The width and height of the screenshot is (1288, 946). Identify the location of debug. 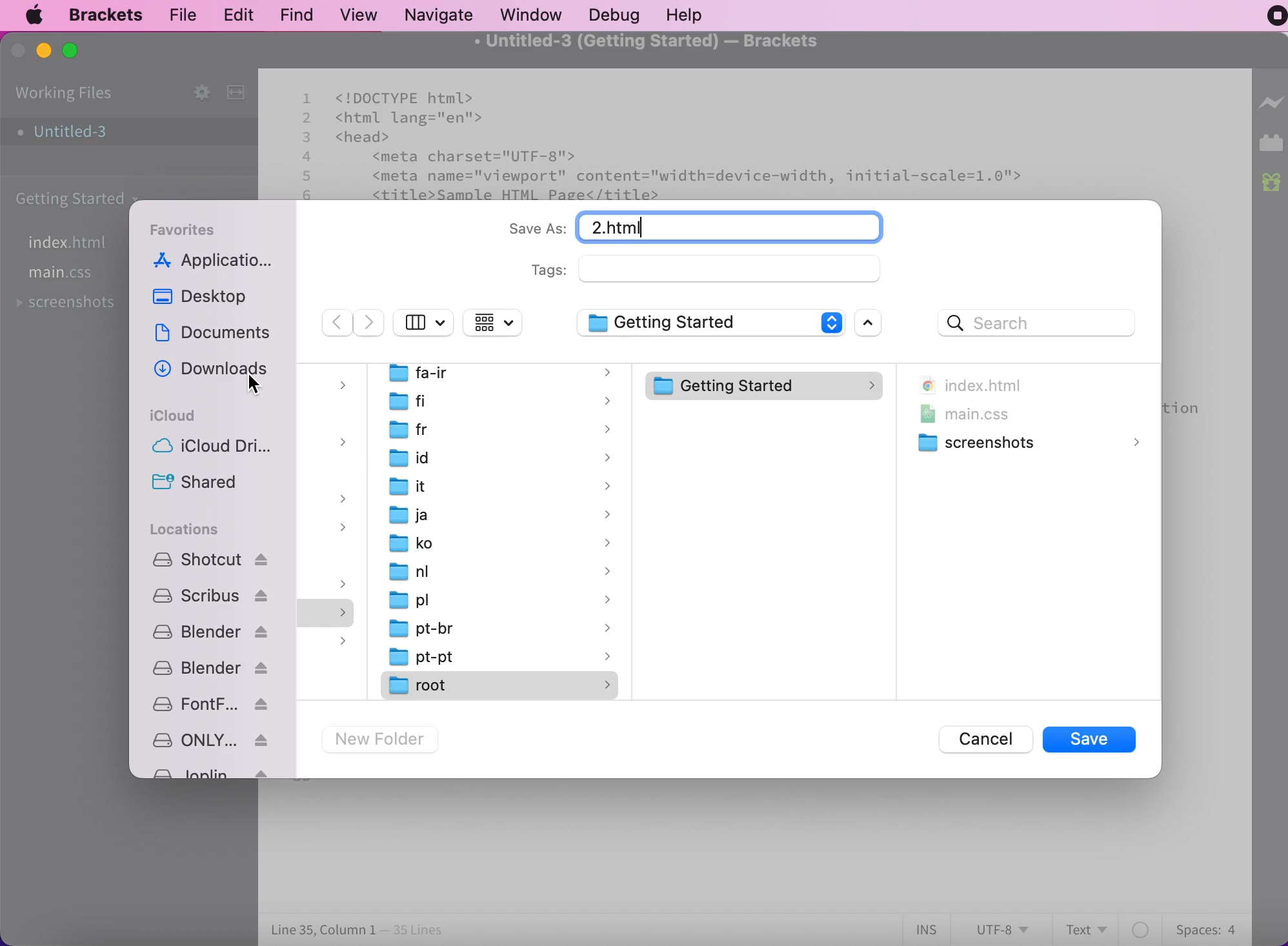
(621, 15).